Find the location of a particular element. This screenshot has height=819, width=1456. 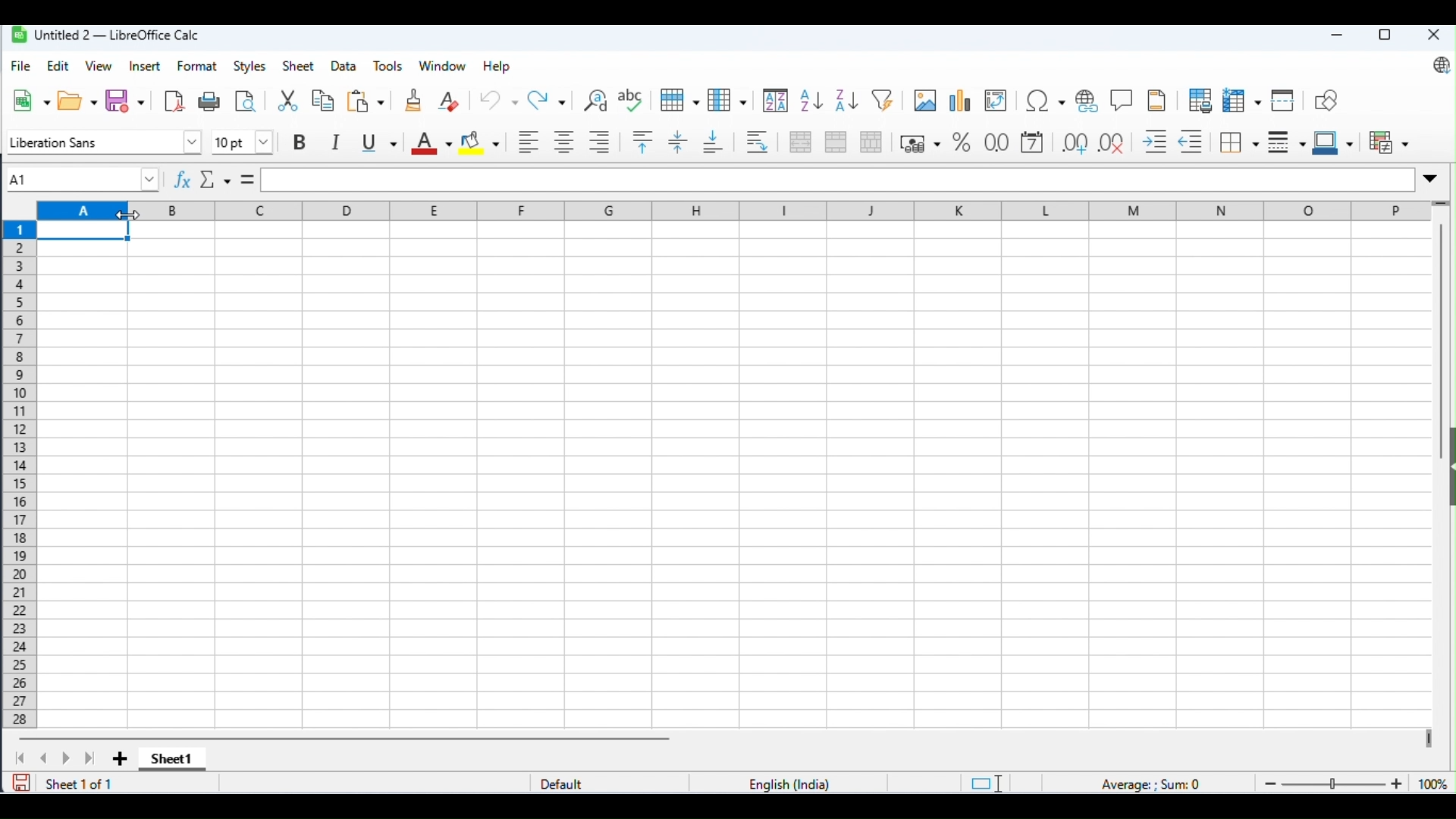

data is located at coordinates (345, 67).